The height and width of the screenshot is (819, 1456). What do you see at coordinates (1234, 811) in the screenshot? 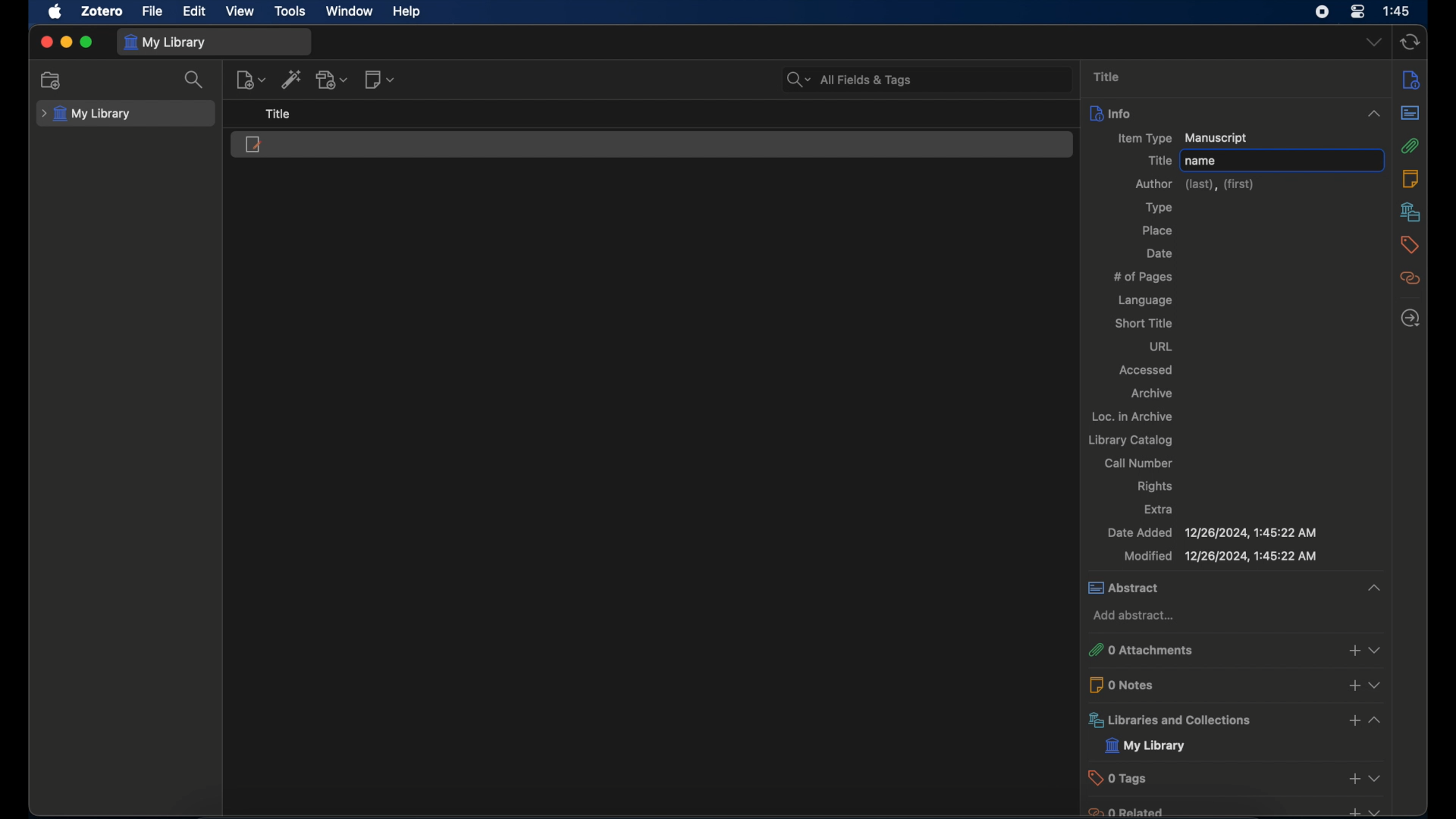
I see `0 related` at bounding box center [1234, 811].